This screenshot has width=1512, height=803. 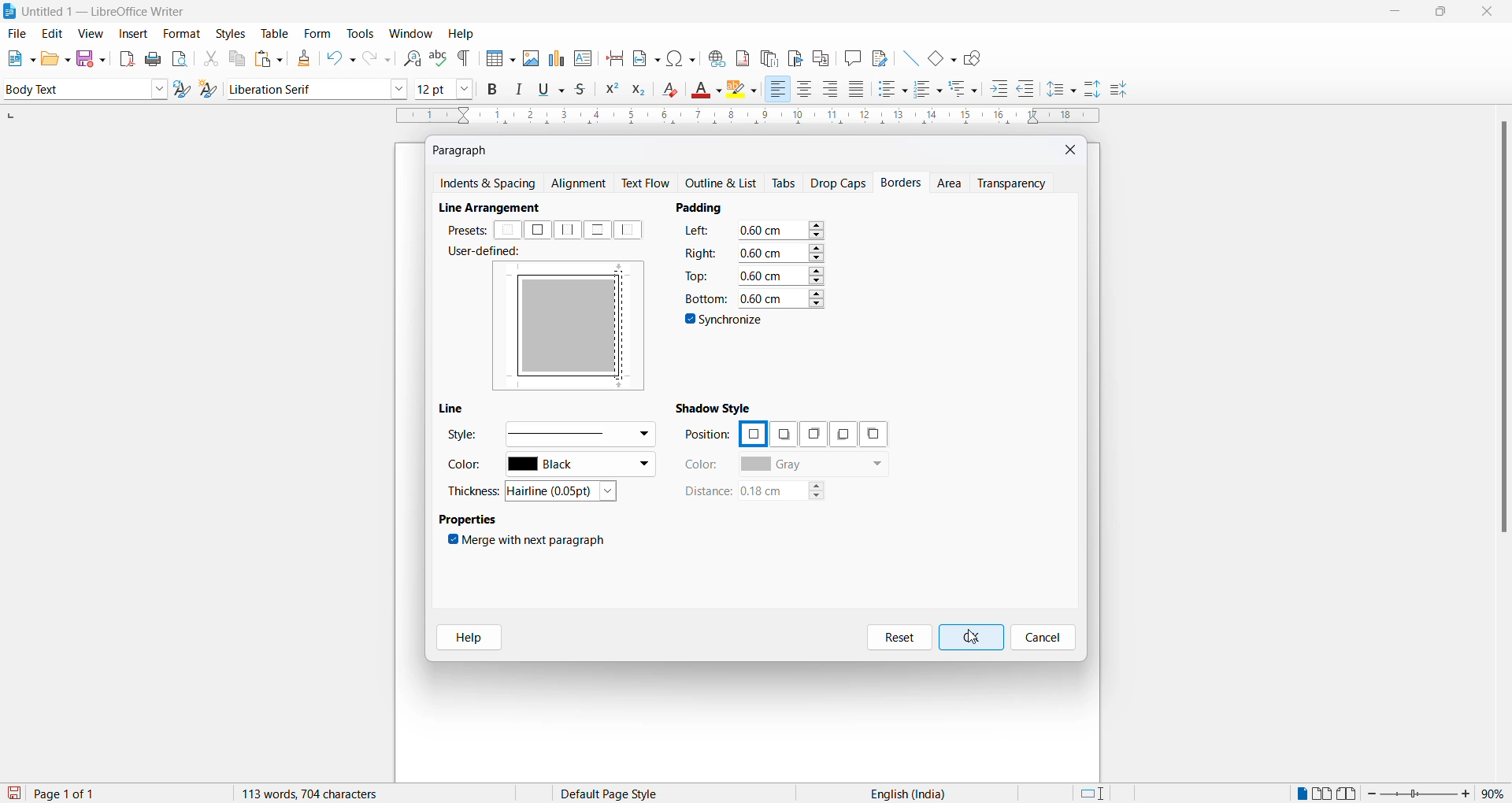 What do you see at coordinates (530, 58) in the screenshot?
I see `insert image` at bounding box center [530, 58].